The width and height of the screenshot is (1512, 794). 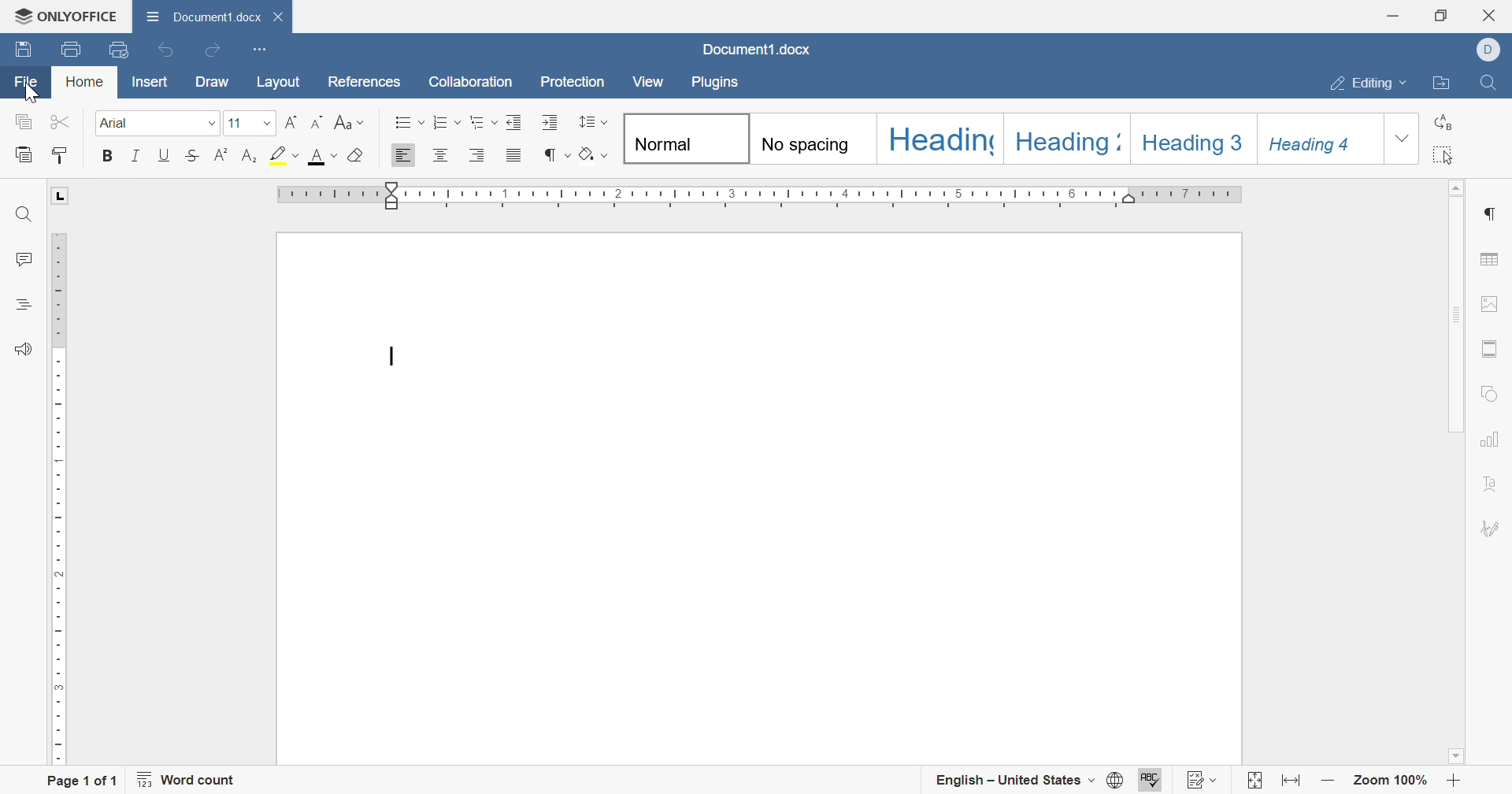 What do you see at coordinates (1253, 781) in the screenshot?
I see `fit to page` at bounding box center [1253, 781].